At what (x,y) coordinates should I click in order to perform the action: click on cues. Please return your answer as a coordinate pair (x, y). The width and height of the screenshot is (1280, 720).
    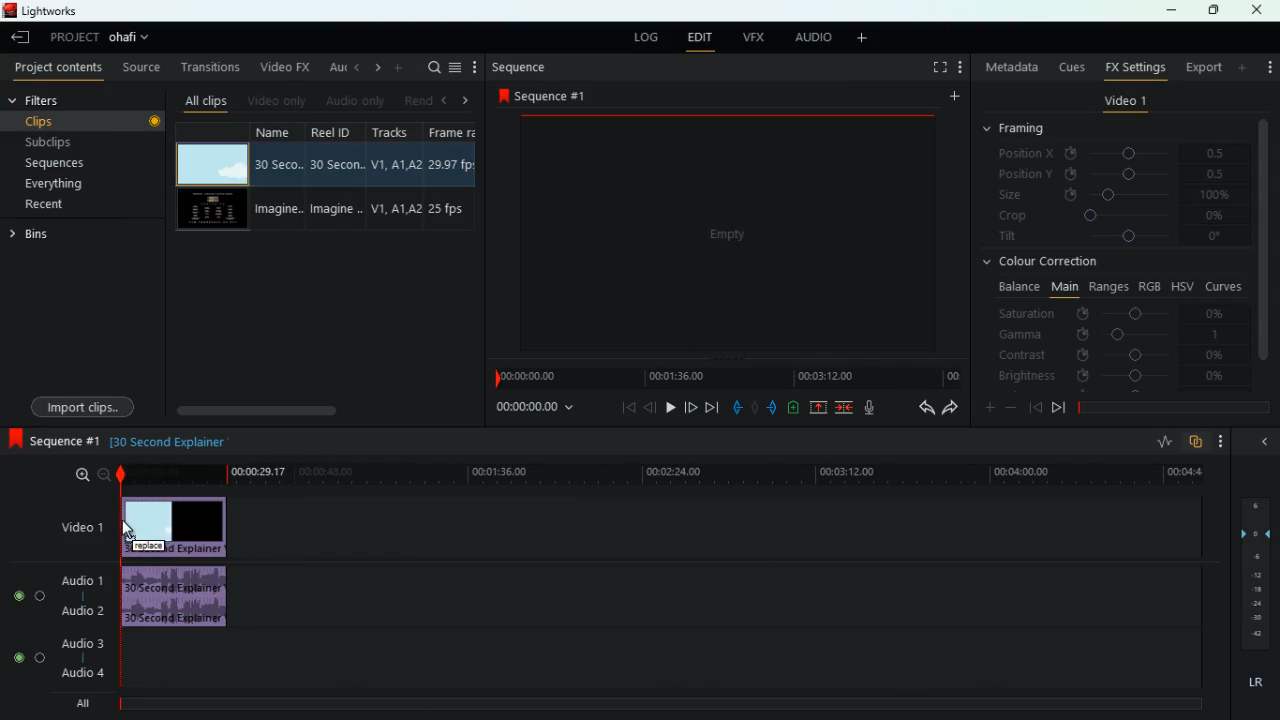
    Looking at the image, I should click on (1073, 67).